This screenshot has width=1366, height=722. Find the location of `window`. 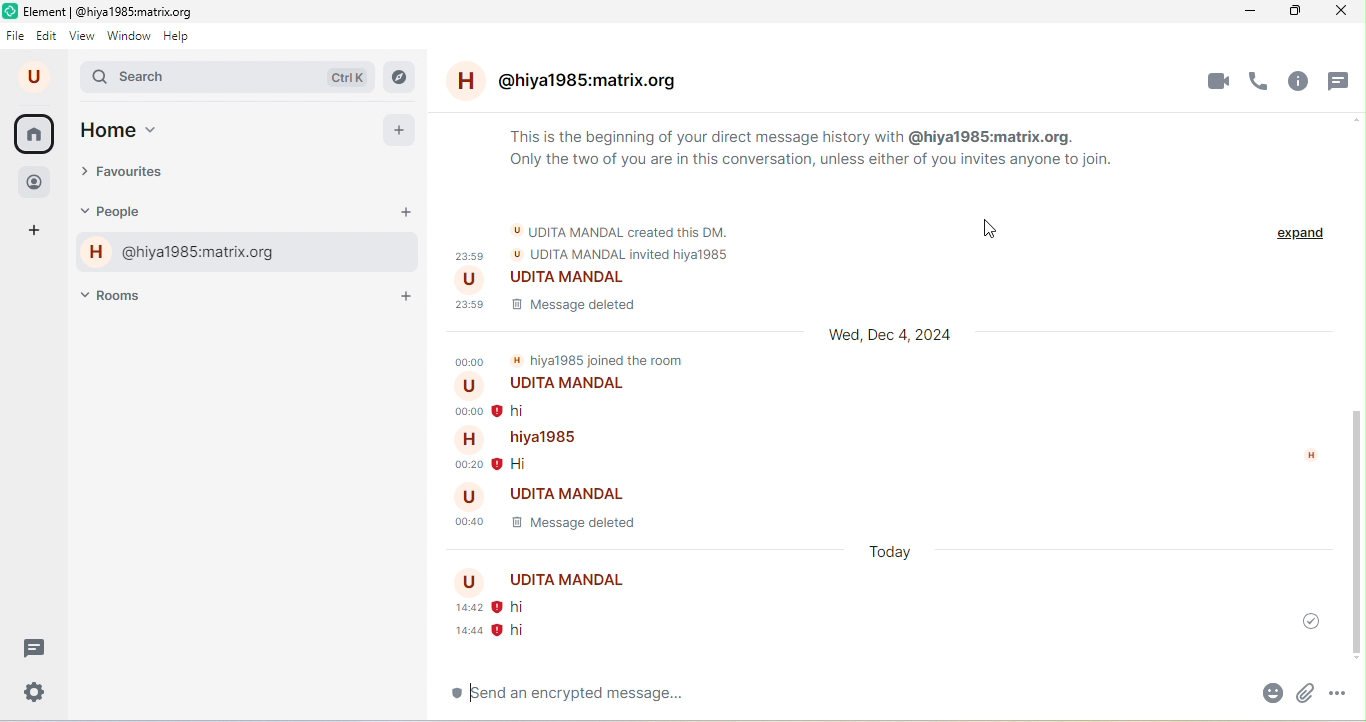

window is located at coordinates (129, 35).